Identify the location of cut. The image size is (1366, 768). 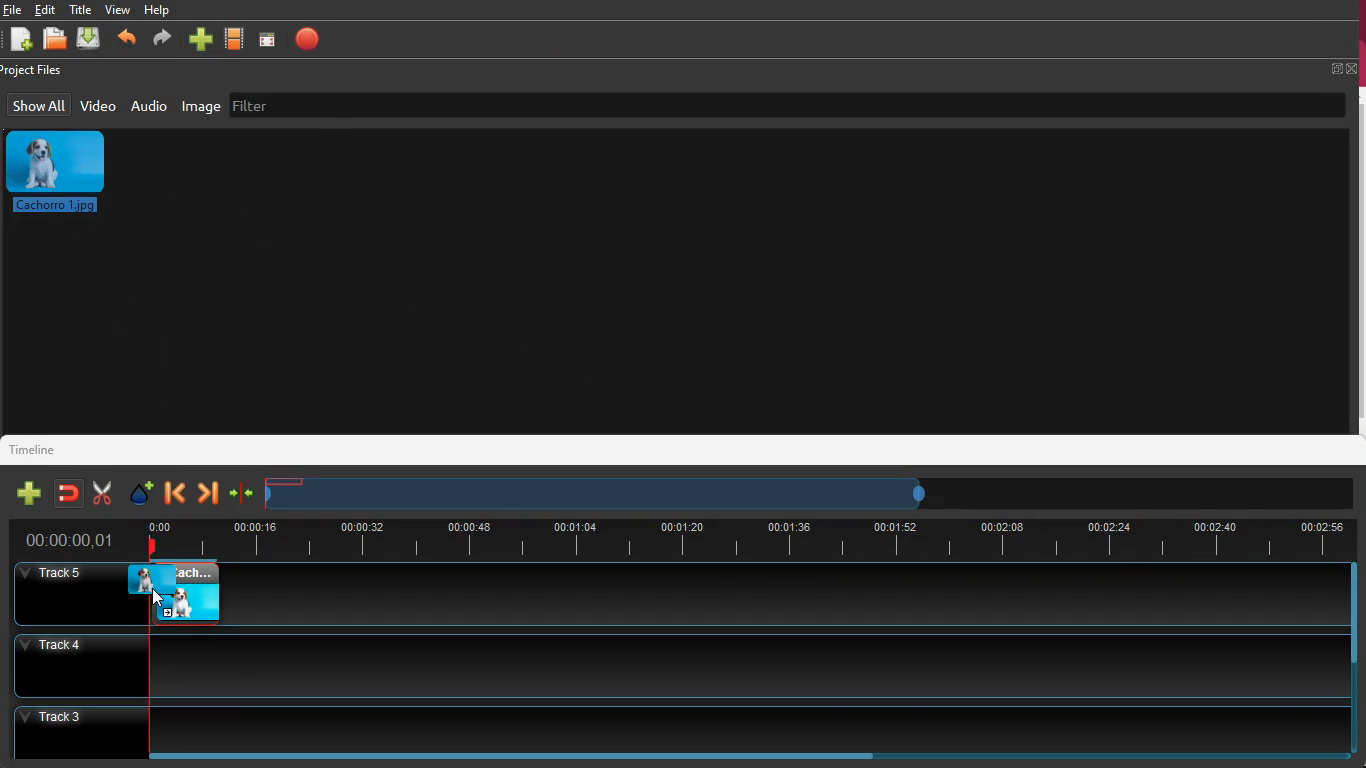
(101, 491).